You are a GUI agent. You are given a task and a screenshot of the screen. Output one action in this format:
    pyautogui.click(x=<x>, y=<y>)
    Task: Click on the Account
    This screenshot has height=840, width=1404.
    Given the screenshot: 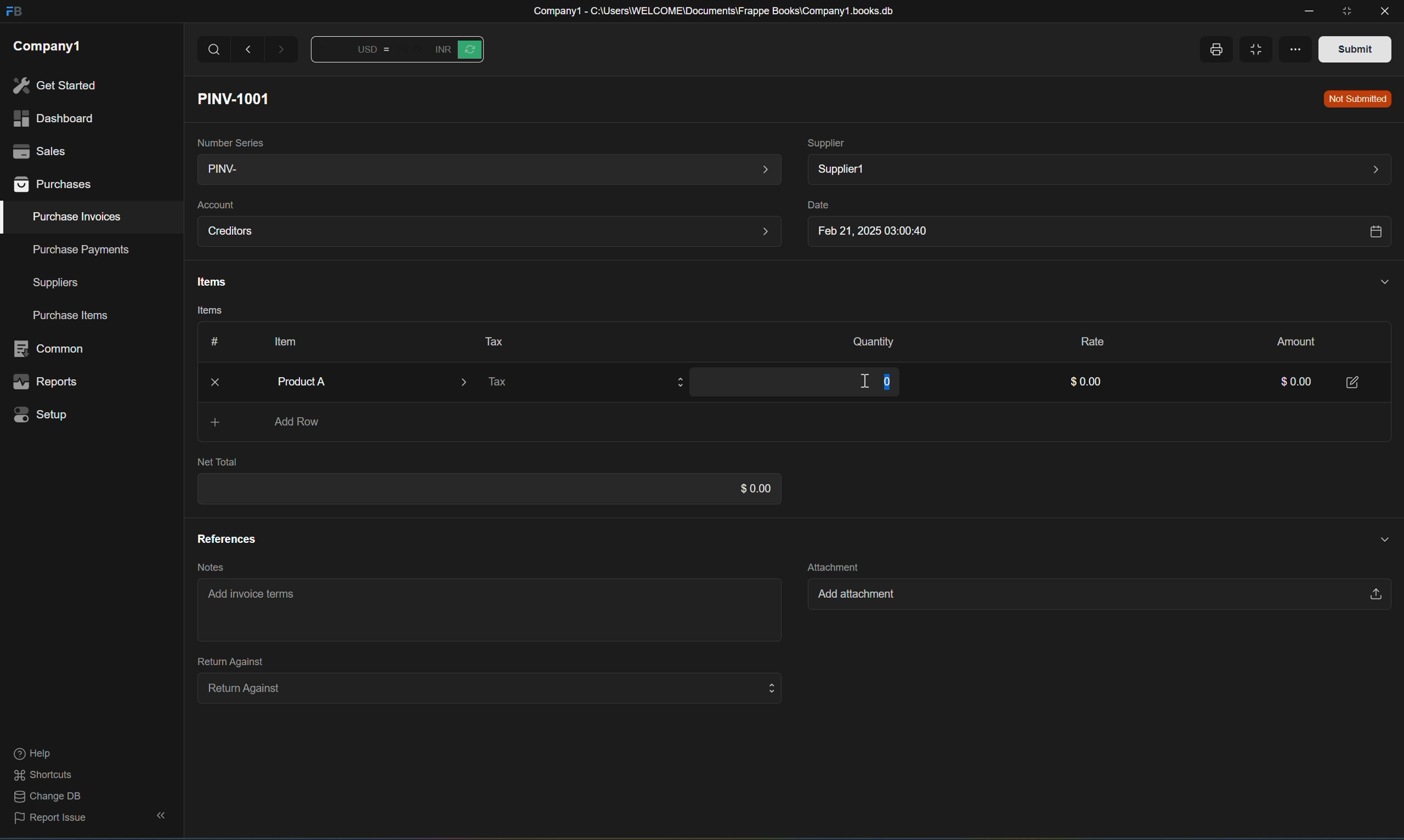 What is the action you would take?
    pyautogui.click(x=215, y=205)
    